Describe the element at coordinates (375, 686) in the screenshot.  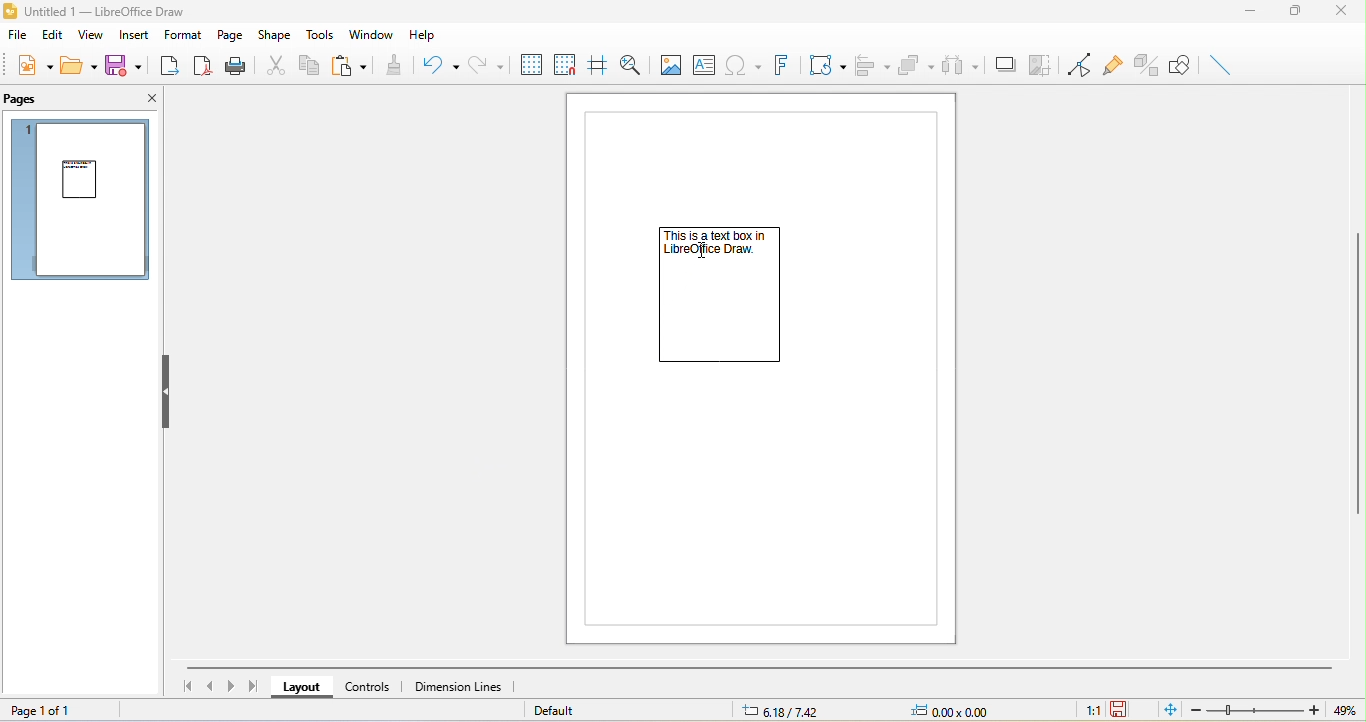
I see `controls` at that location.